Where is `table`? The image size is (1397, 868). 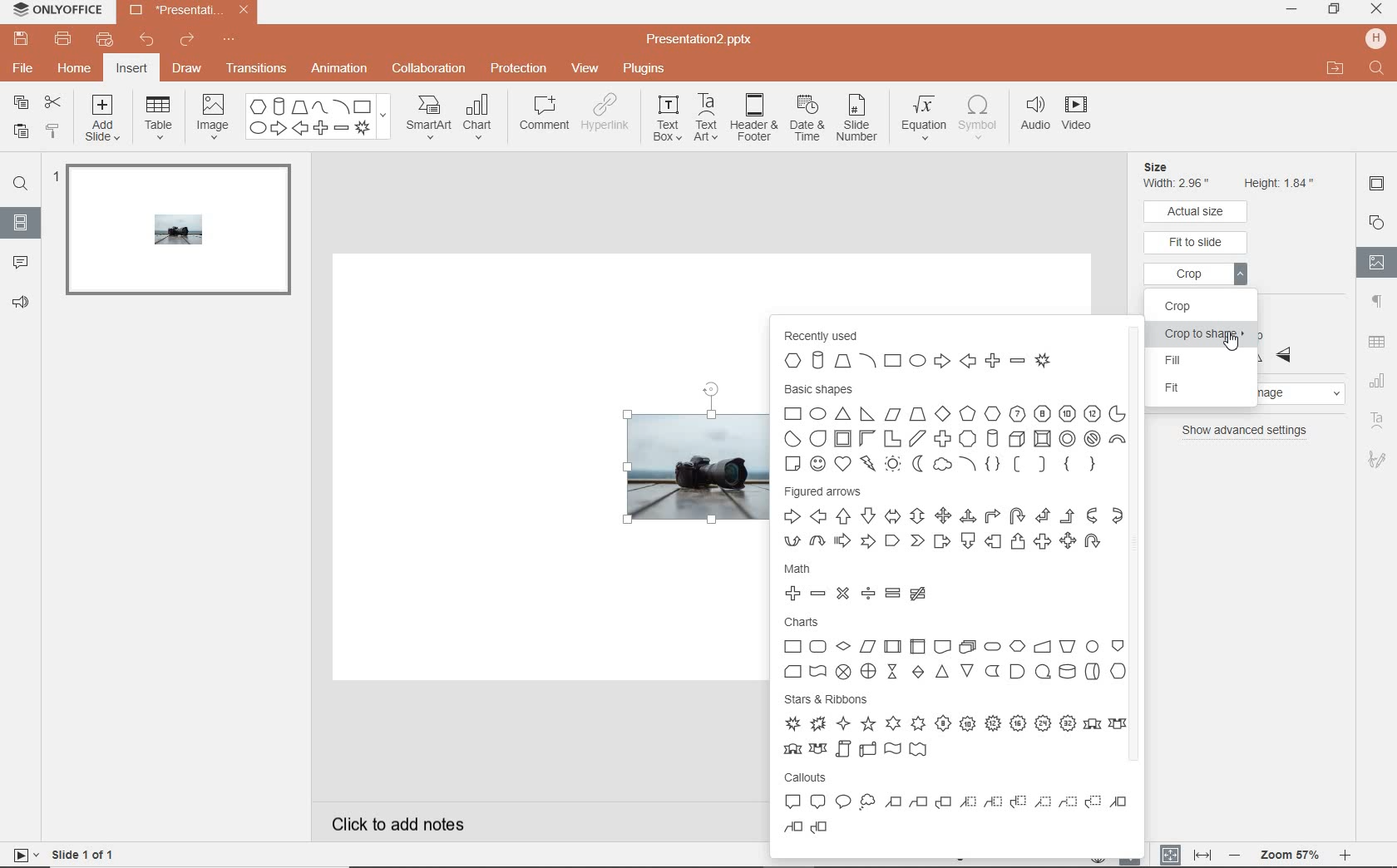
table is located at coordinates (161, 117).